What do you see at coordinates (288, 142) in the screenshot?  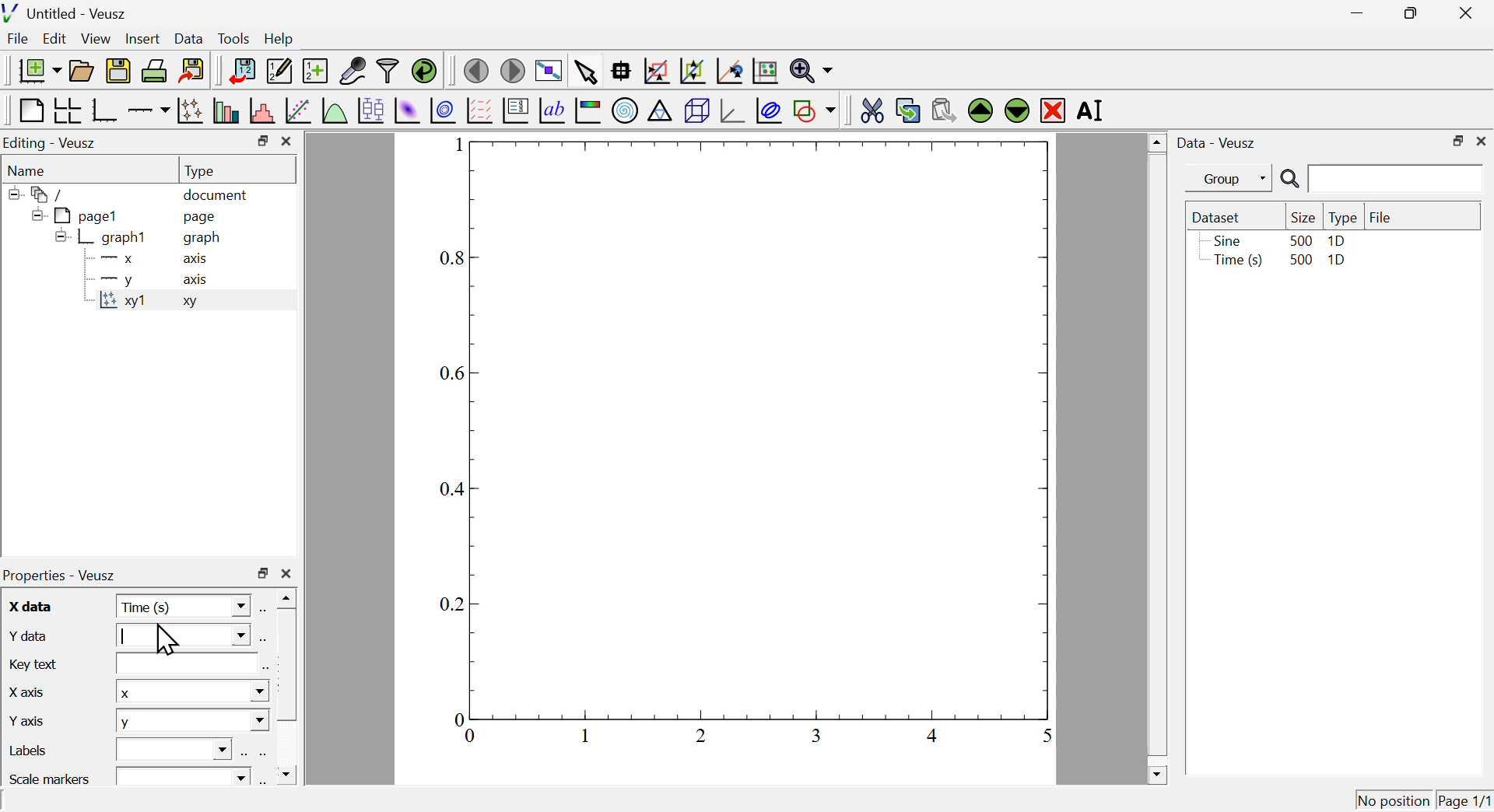 I see `close` at bounding box center [288, 142].